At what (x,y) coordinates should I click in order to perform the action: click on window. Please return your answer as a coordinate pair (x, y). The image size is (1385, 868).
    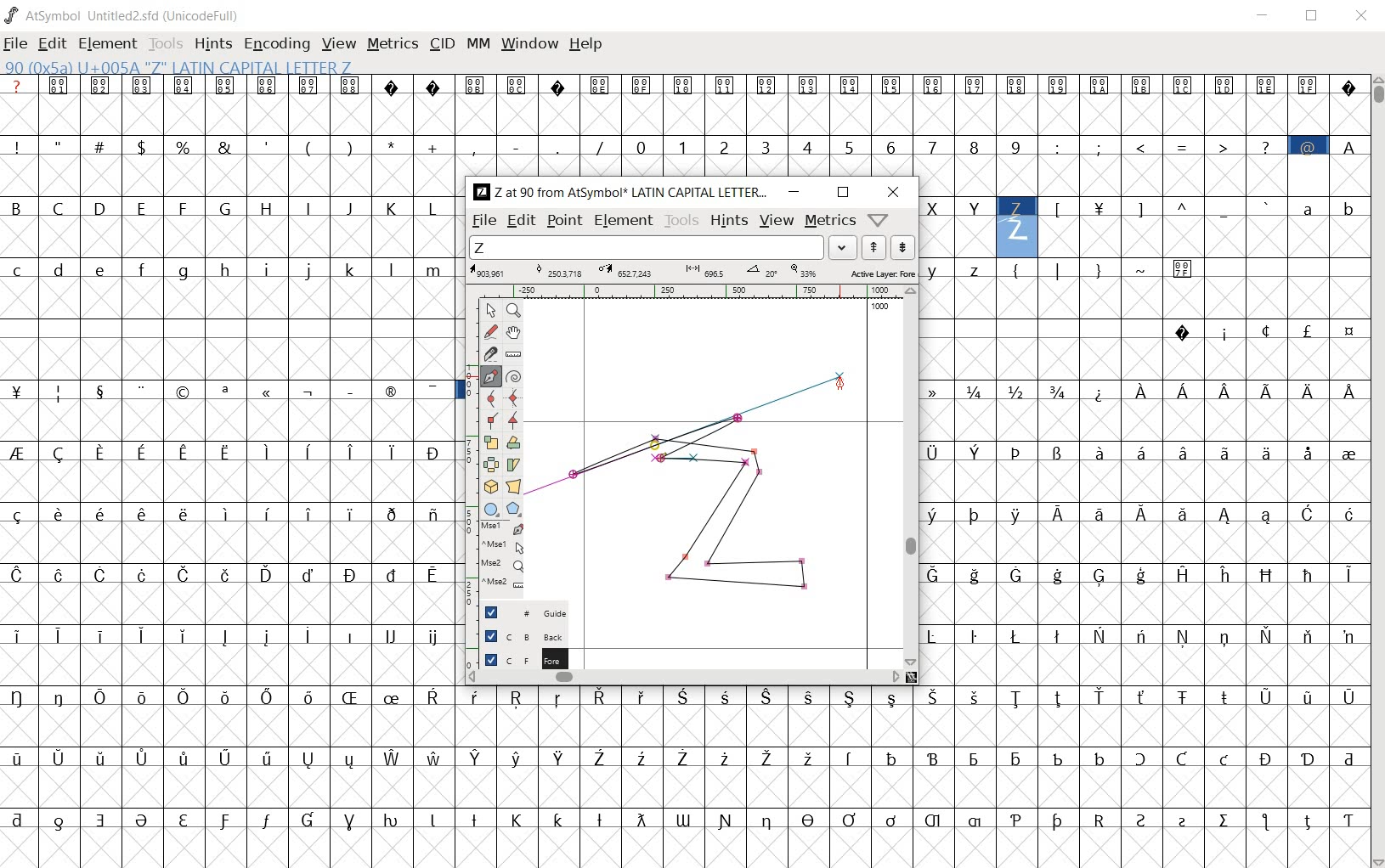
    Looking at the image, I should click on (529, 44).